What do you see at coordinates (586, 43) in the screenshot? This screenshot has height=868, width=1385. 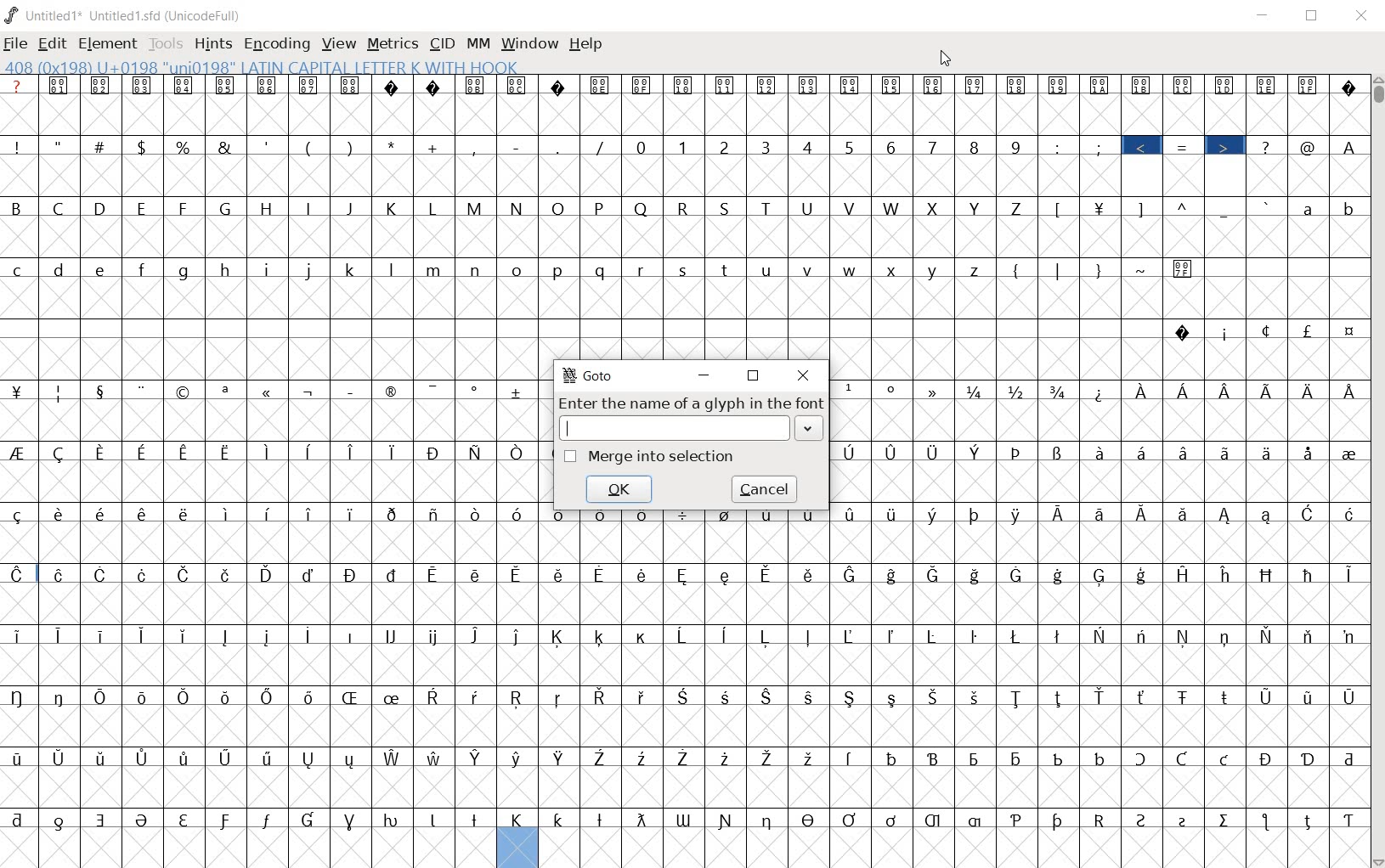 I see `help` at bounding box center [586, 43].